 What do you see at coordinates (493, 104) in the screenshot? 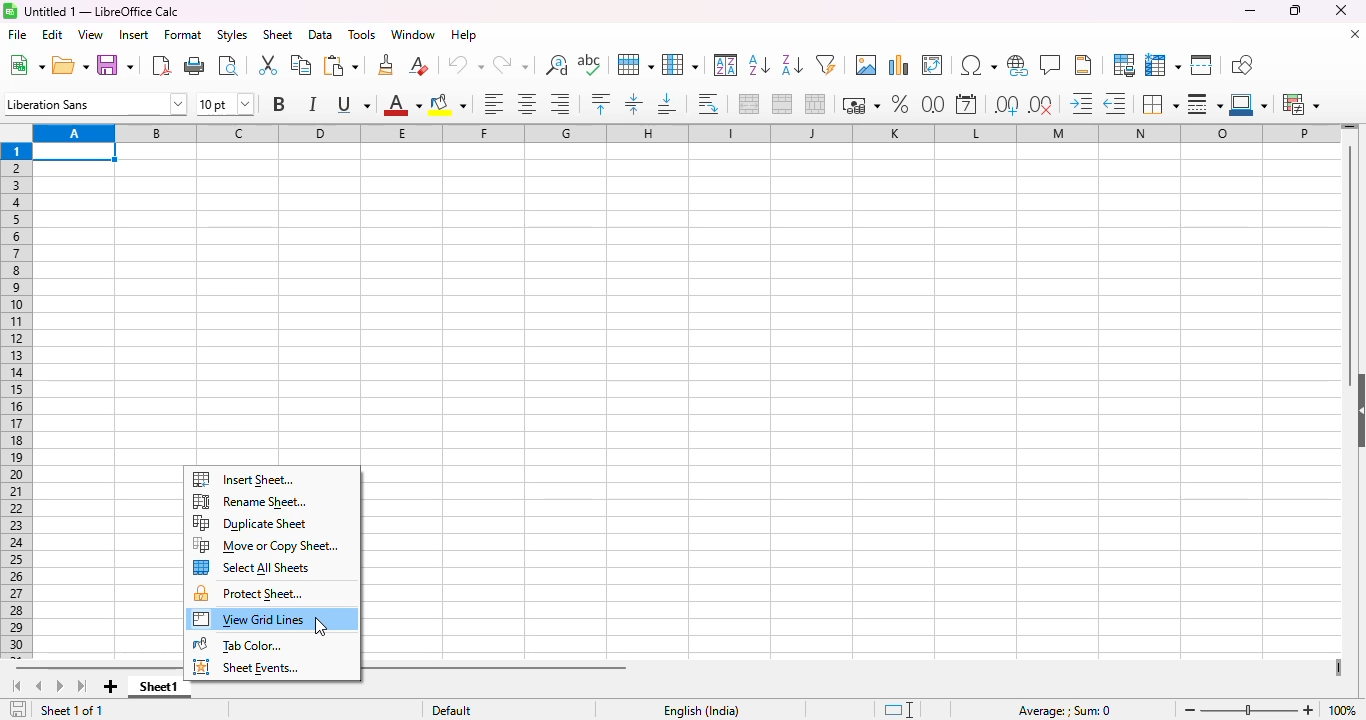
I see `align left` at bounding box center [493, 104].